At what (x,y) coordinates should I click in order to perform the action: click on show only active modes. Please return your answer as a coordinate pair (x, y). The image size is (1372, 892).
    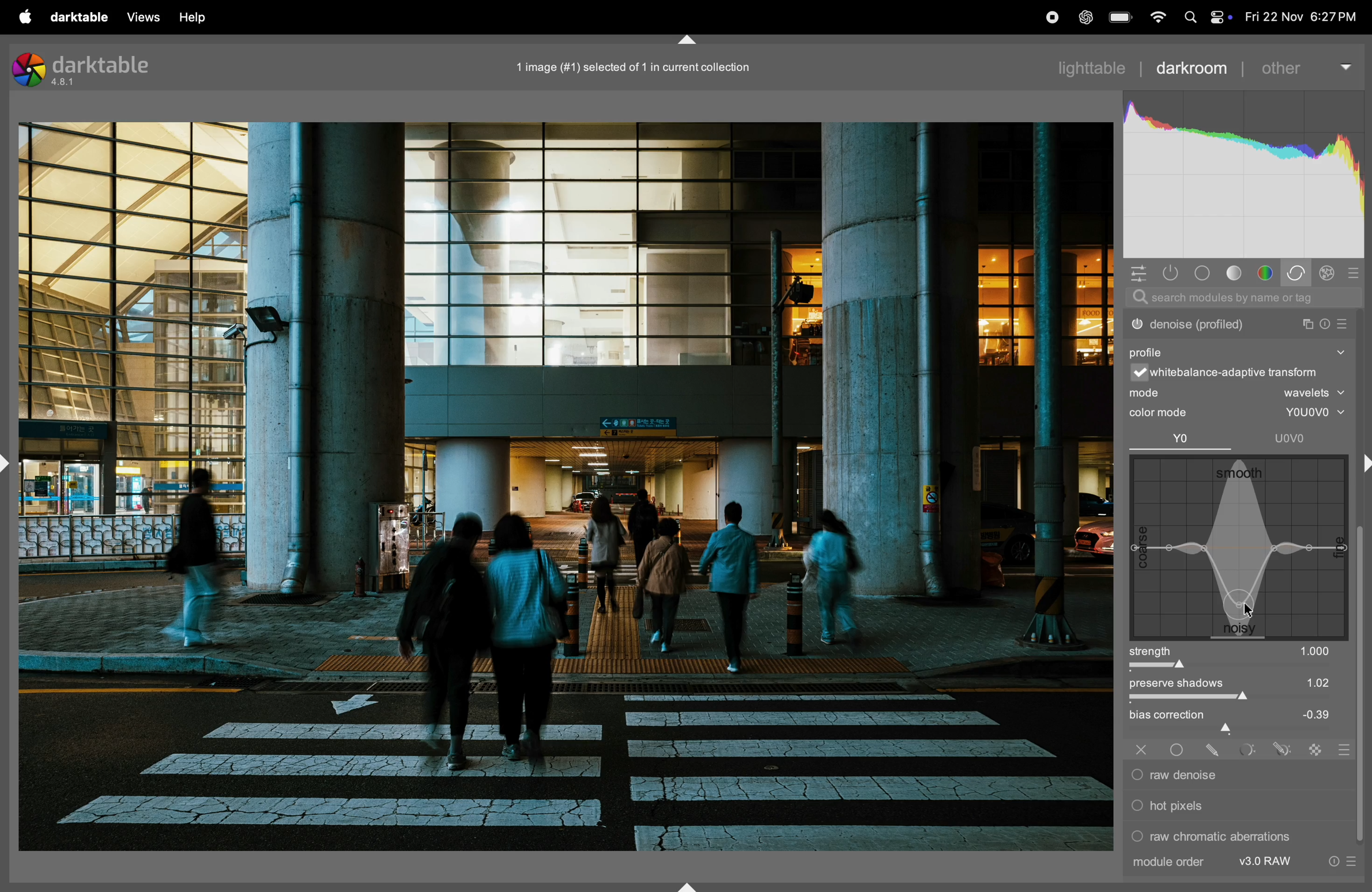
    Looking at the image, I should click on (1173, 274).